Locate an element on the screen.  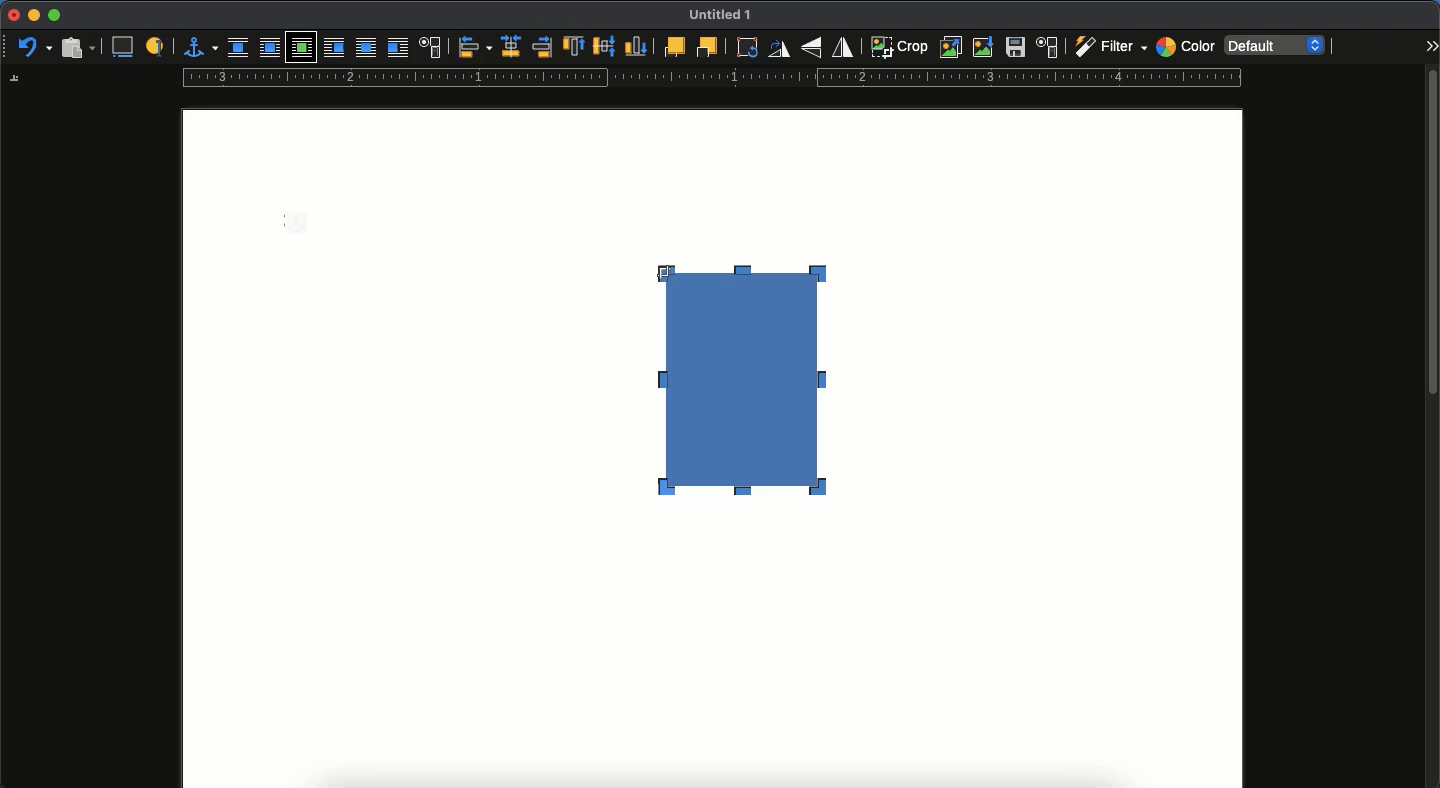
before is located at coordinates (333, 49).